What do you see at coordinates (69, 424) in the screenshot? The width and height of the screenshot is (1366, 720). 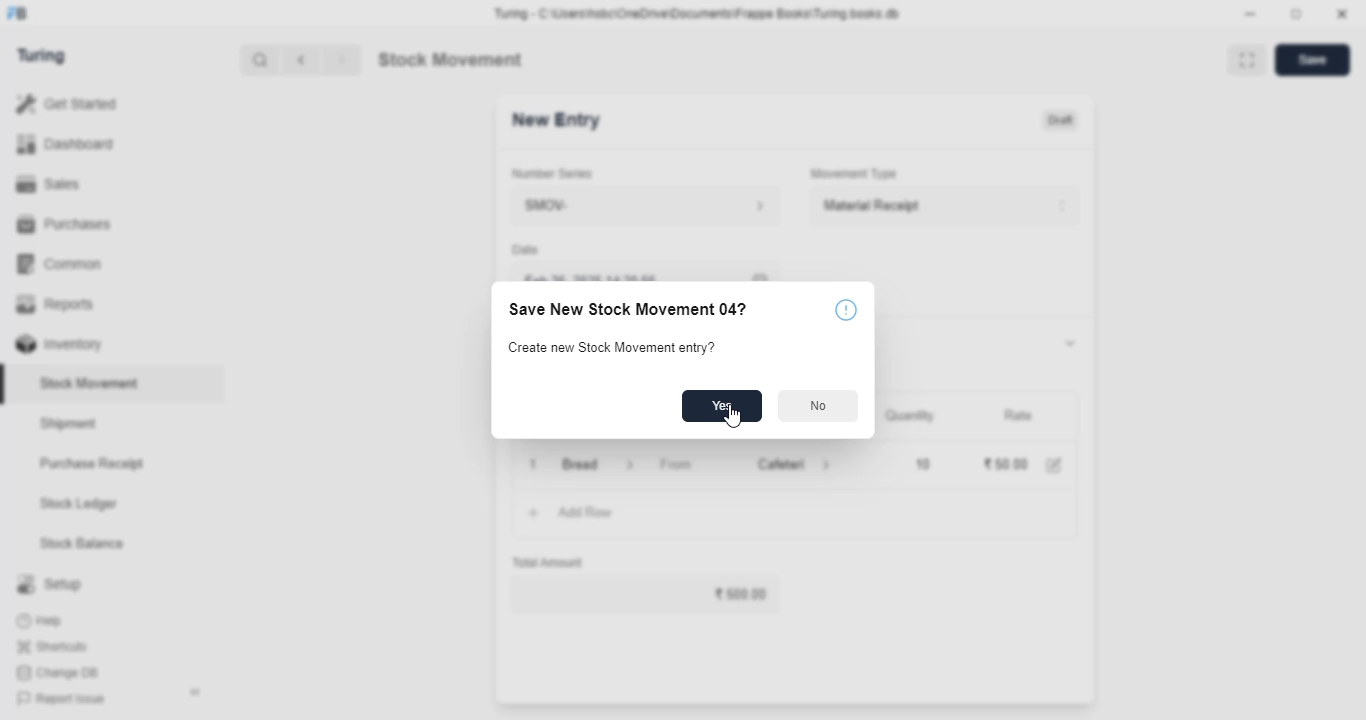 I see `shipment` at bounding box center [69, 424].